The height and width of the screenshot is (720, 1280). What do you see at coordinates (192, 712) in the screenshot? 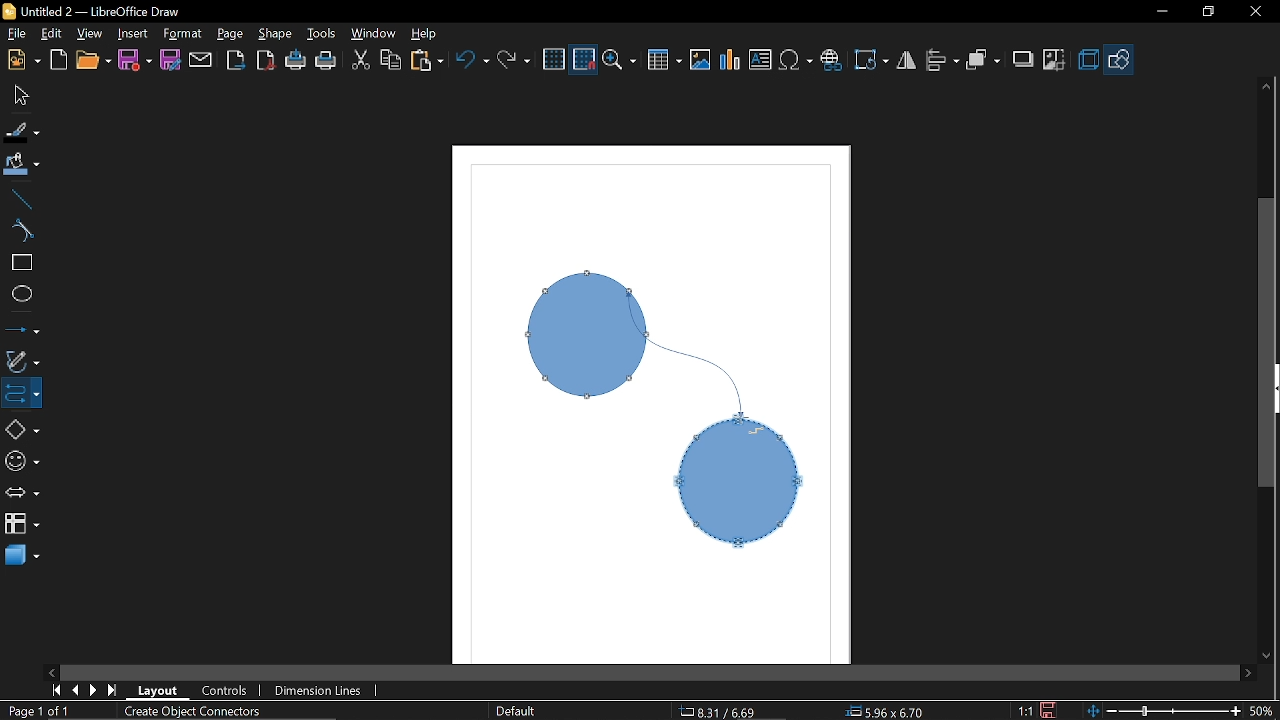
I see `Create objects connectors` at bounding box center [192, 712].